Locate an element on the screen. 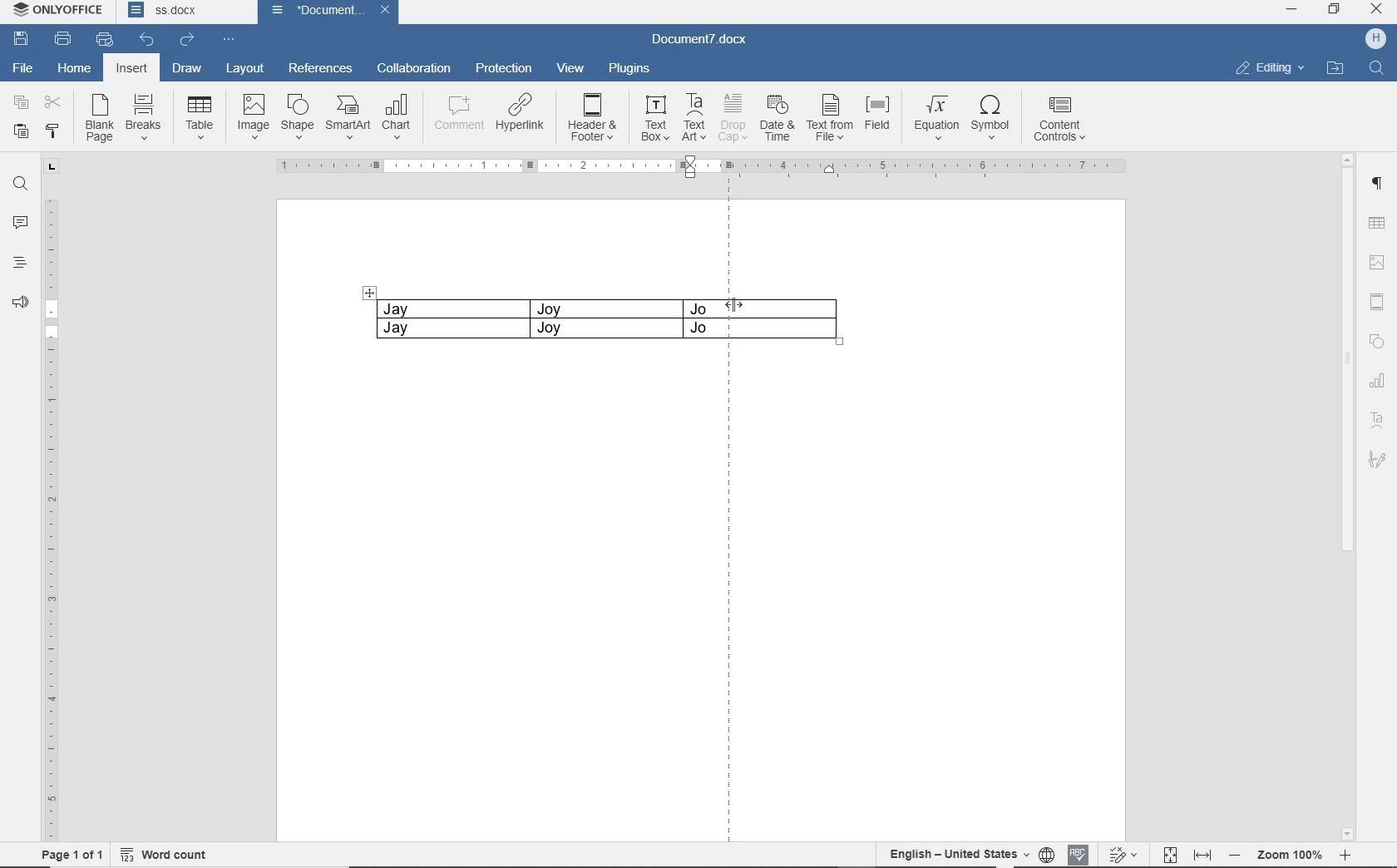  QUICK PRINT is located at coordinates (105, 40).